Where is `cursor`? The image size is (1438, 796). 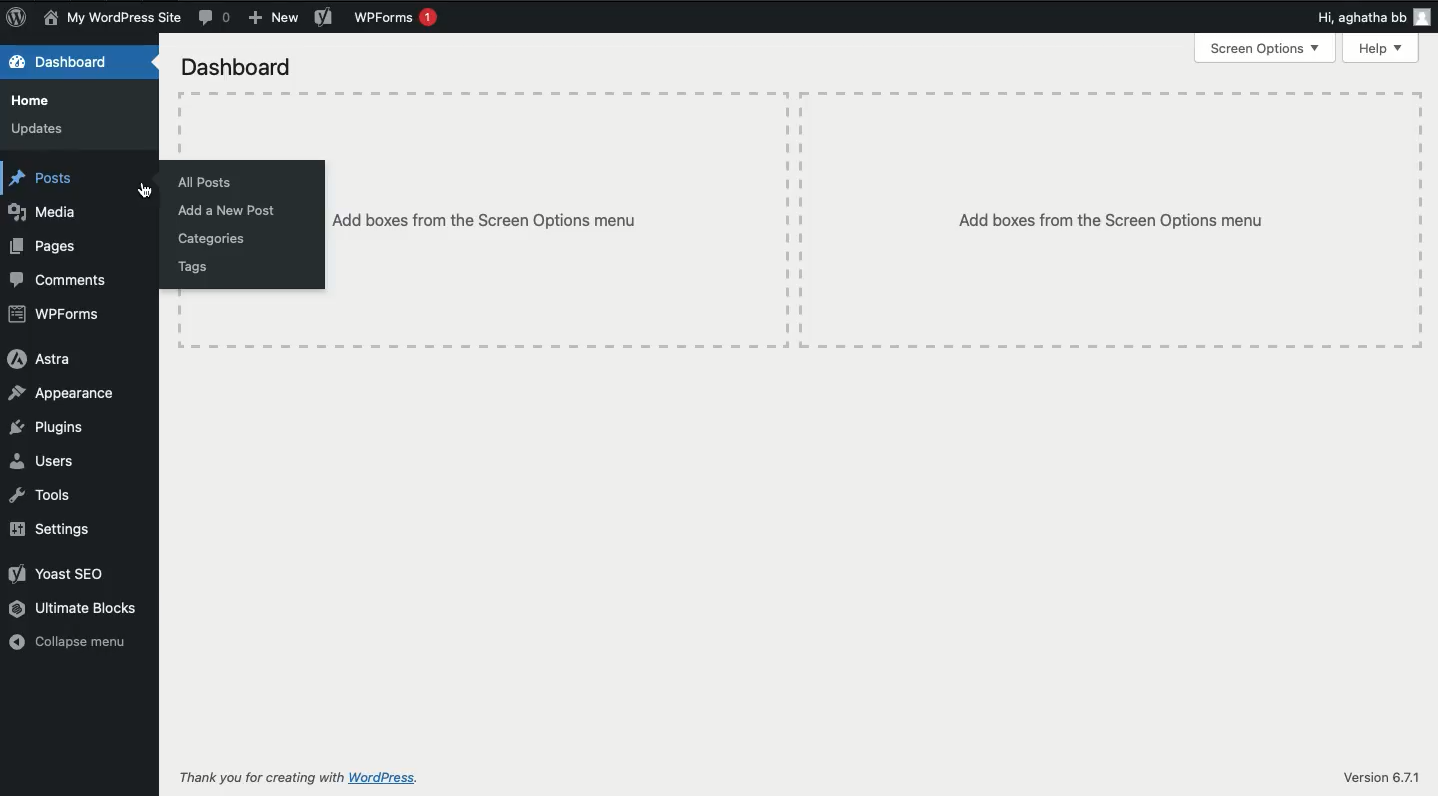
cursor is located at coordinates (143, 189).